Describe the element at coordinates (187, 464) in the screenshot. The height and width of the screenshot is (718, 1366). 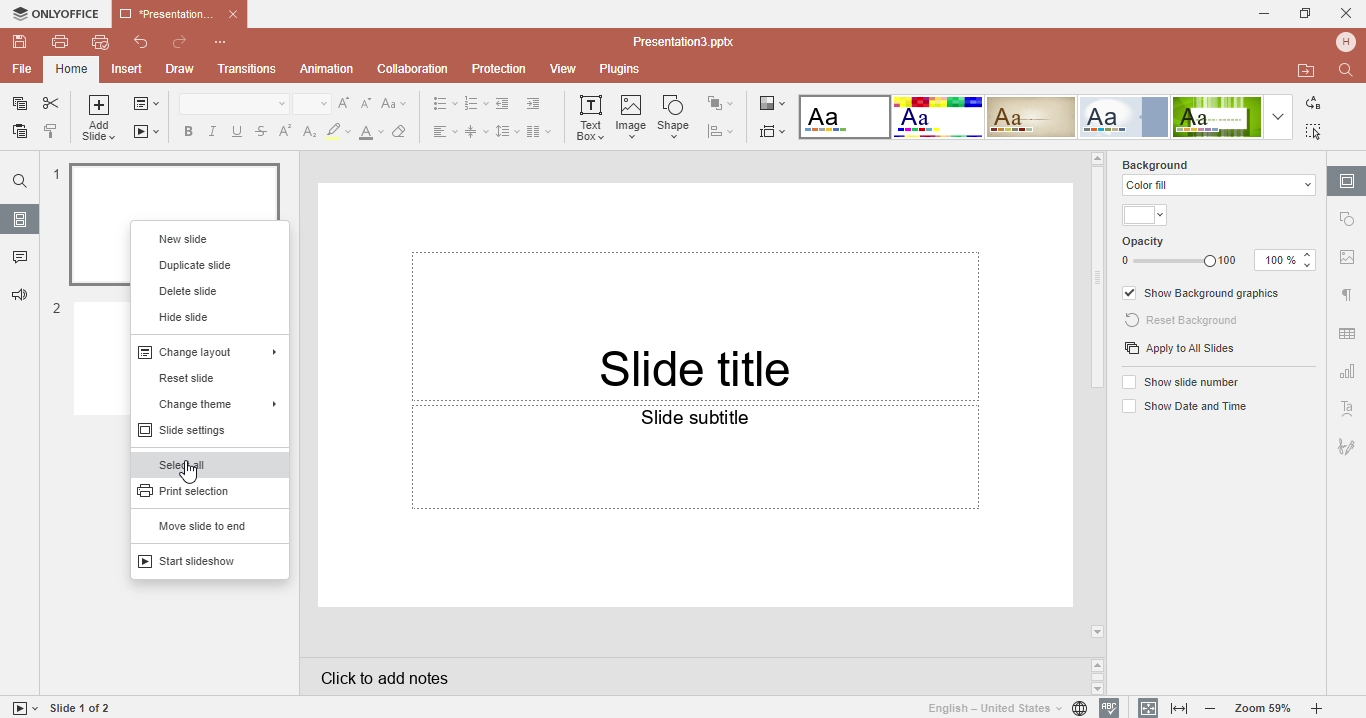
I see `Select all` at that location.